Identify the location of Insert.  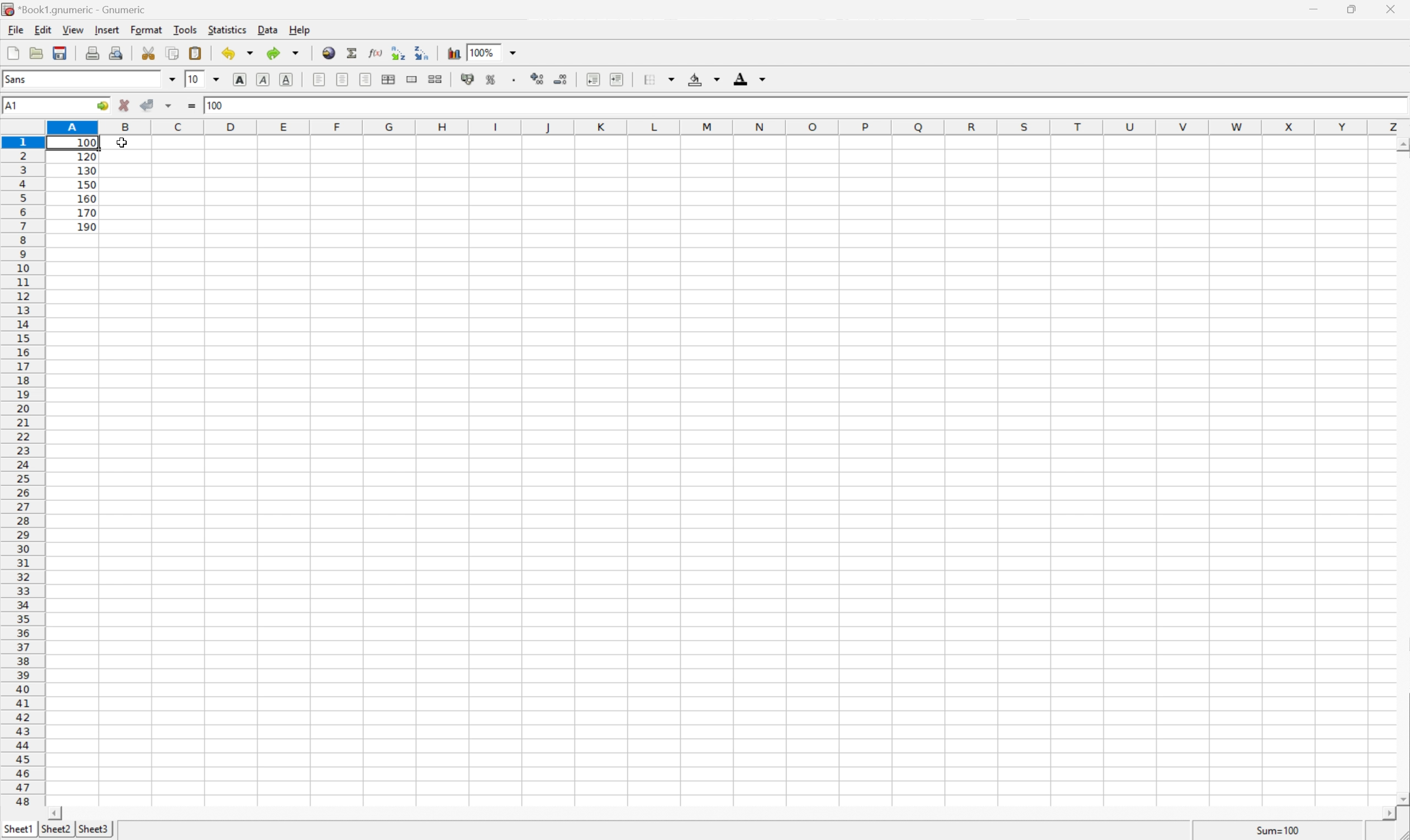
(108, 29).